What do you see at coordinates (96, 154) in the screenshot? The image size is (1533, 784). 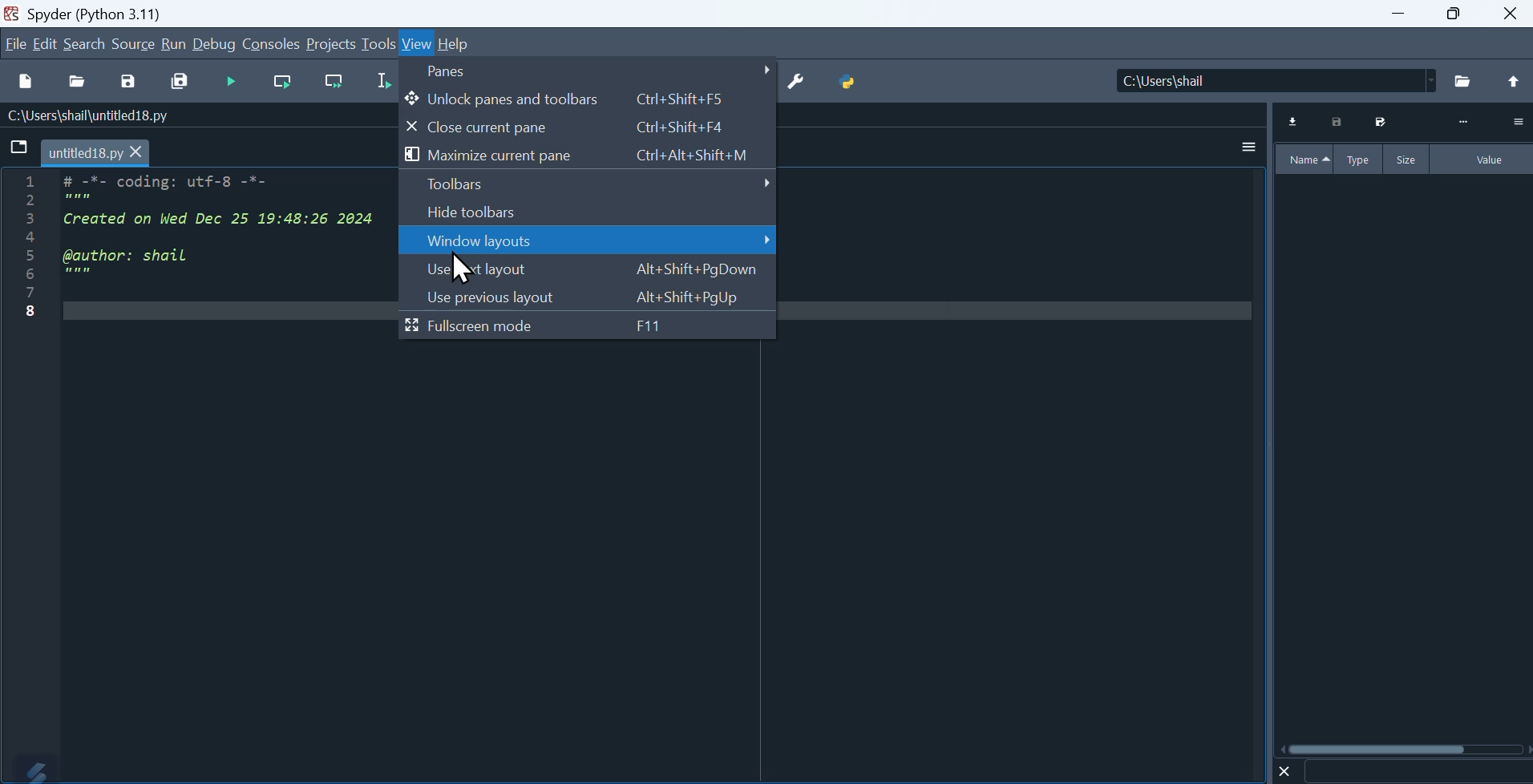 I see `Untitled18.py` at bounding box center [96, 154].